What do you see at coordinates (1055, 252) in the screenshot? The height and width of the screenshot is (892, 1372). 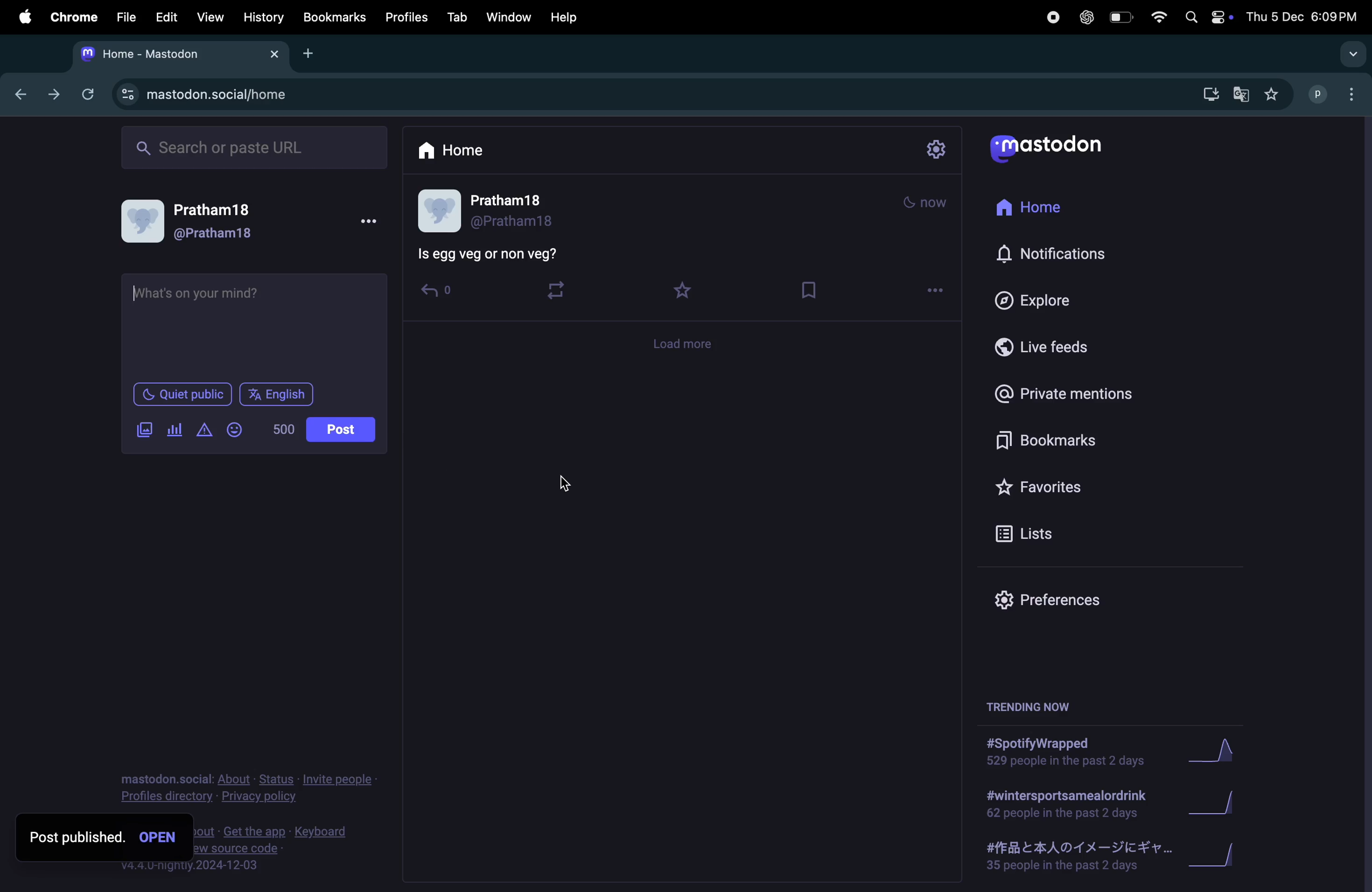 I see `Notifications` at bounding box center [1055, 252].